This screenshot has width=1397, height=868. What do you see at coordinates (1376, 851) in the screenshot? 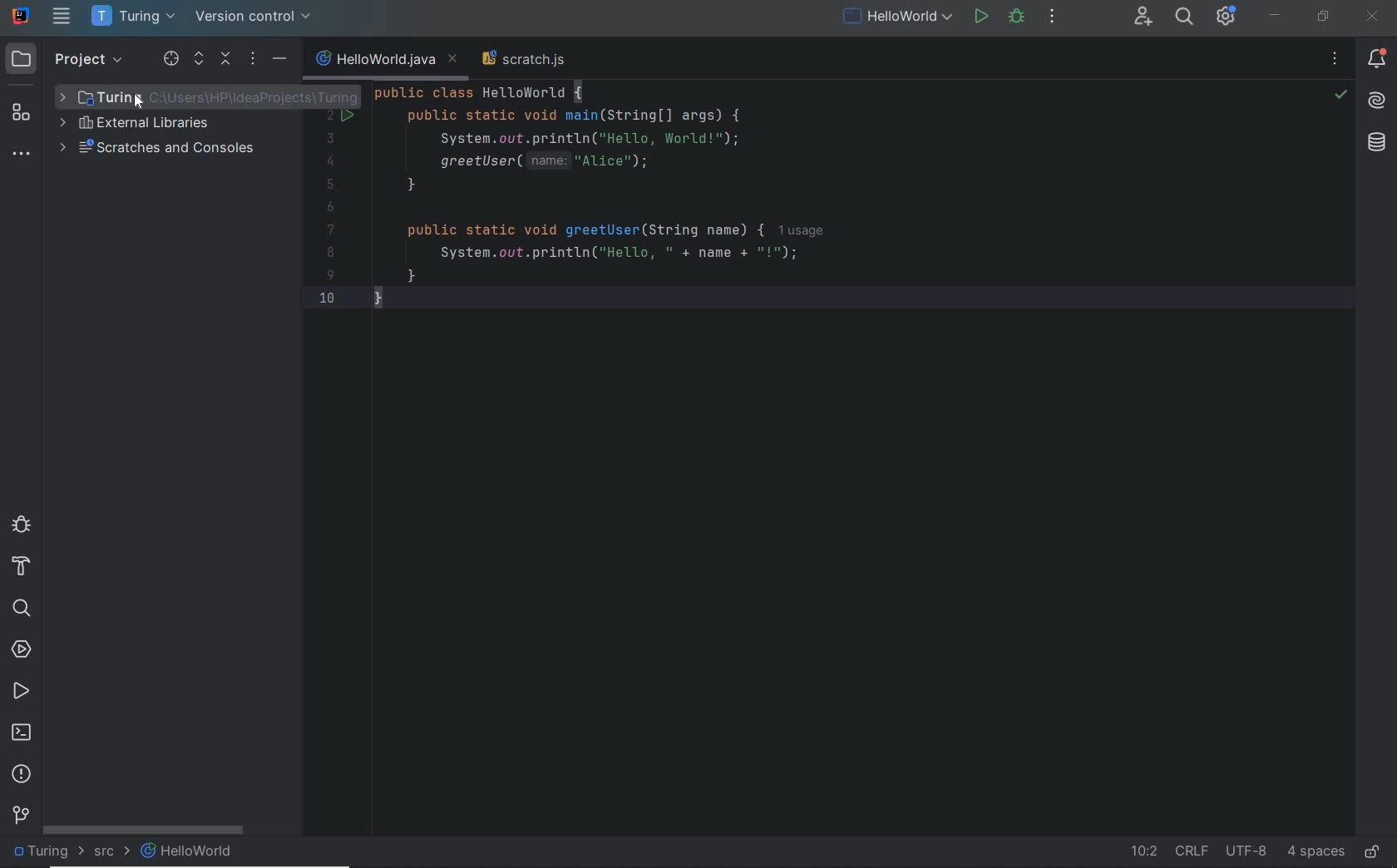
I see `make file ready only` at bounding box center [1376, 851].